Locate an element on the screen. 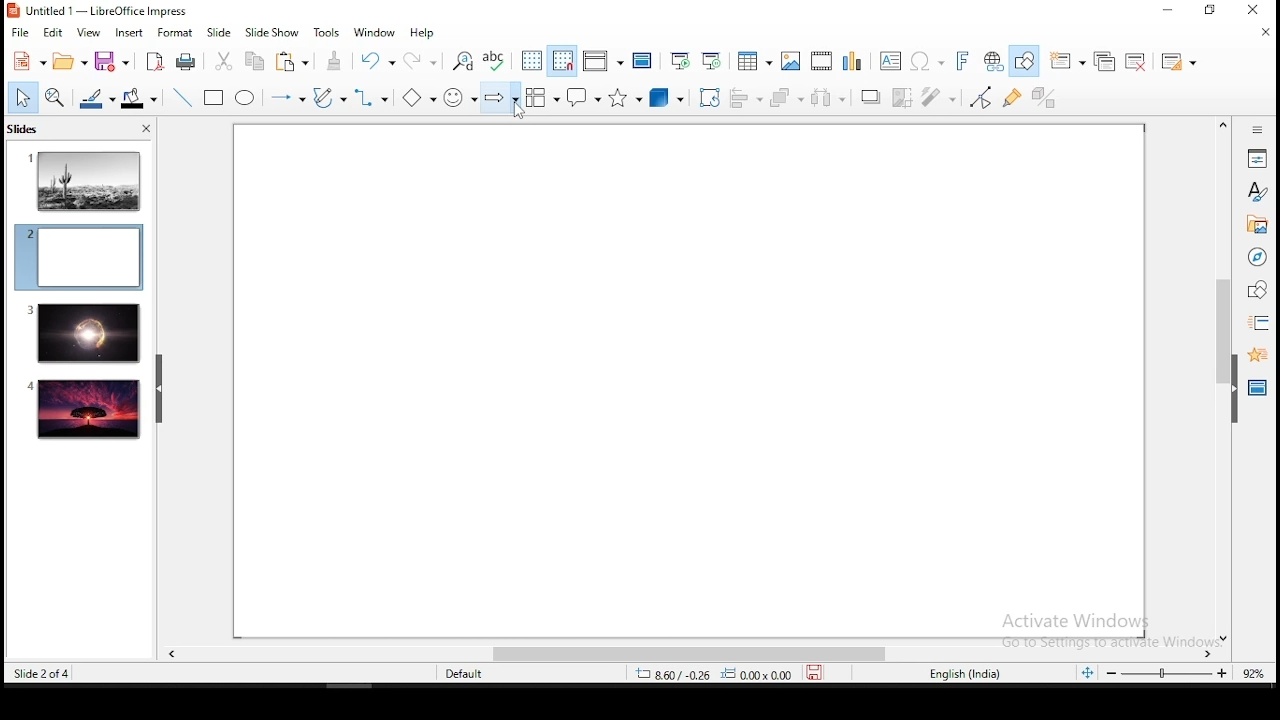 The width and height of the screenshot is (1280, 720). cut is located at coordinates (222, 60).